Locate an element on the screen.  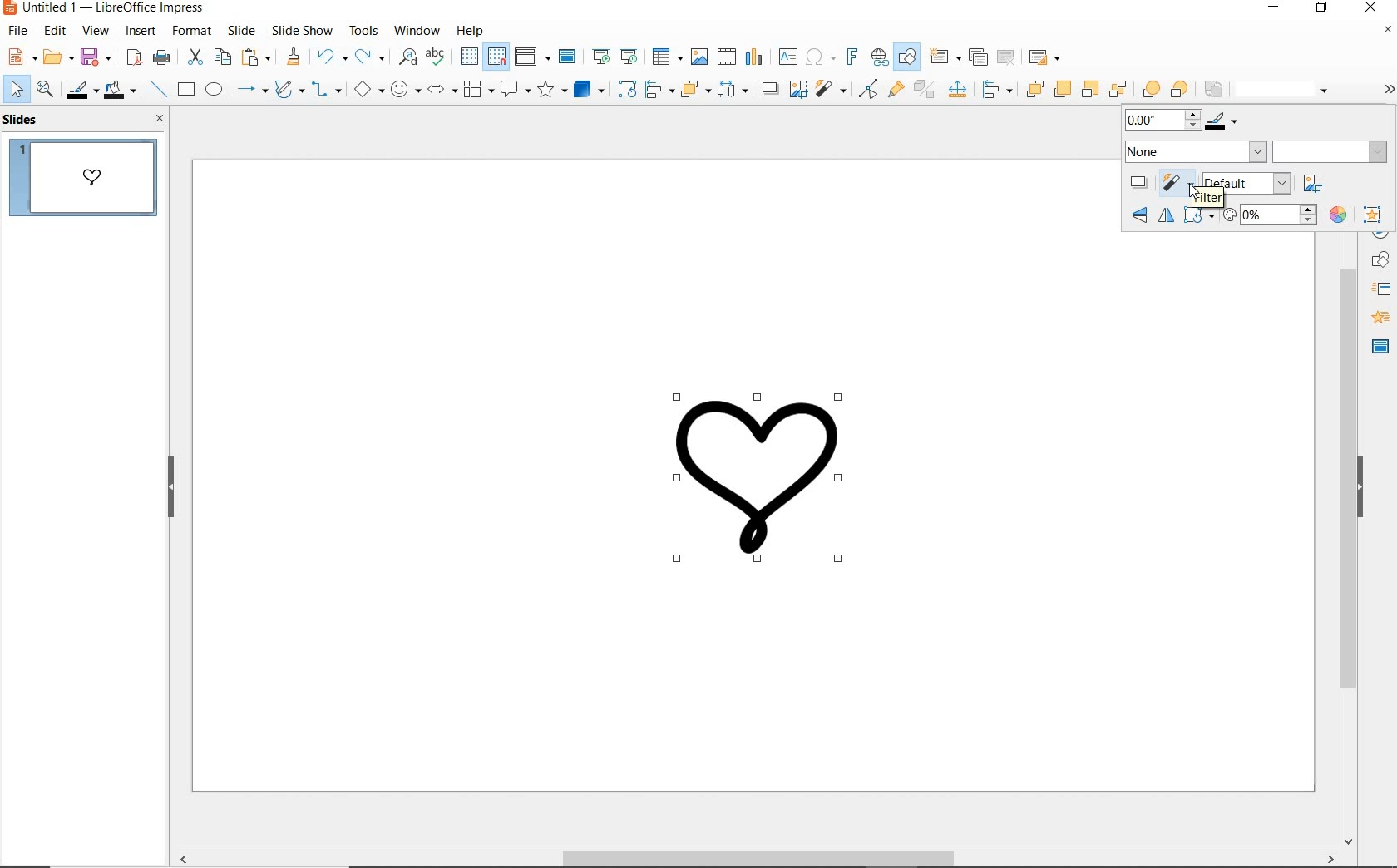
clone formatting is located at coordinates (292, 57).